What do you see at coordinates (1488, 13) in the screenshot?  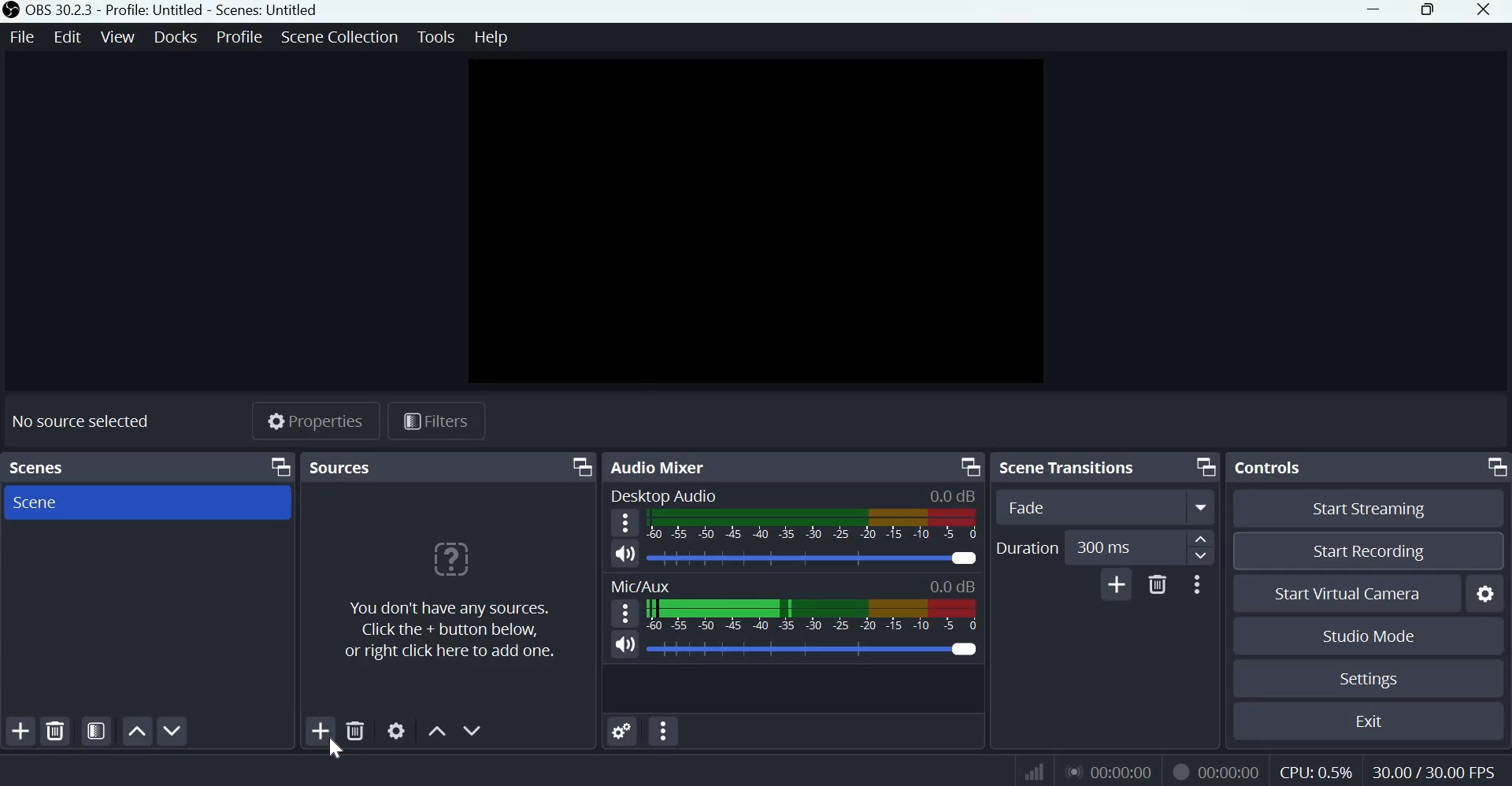 I see `close` at bounding box center [1488, 13].